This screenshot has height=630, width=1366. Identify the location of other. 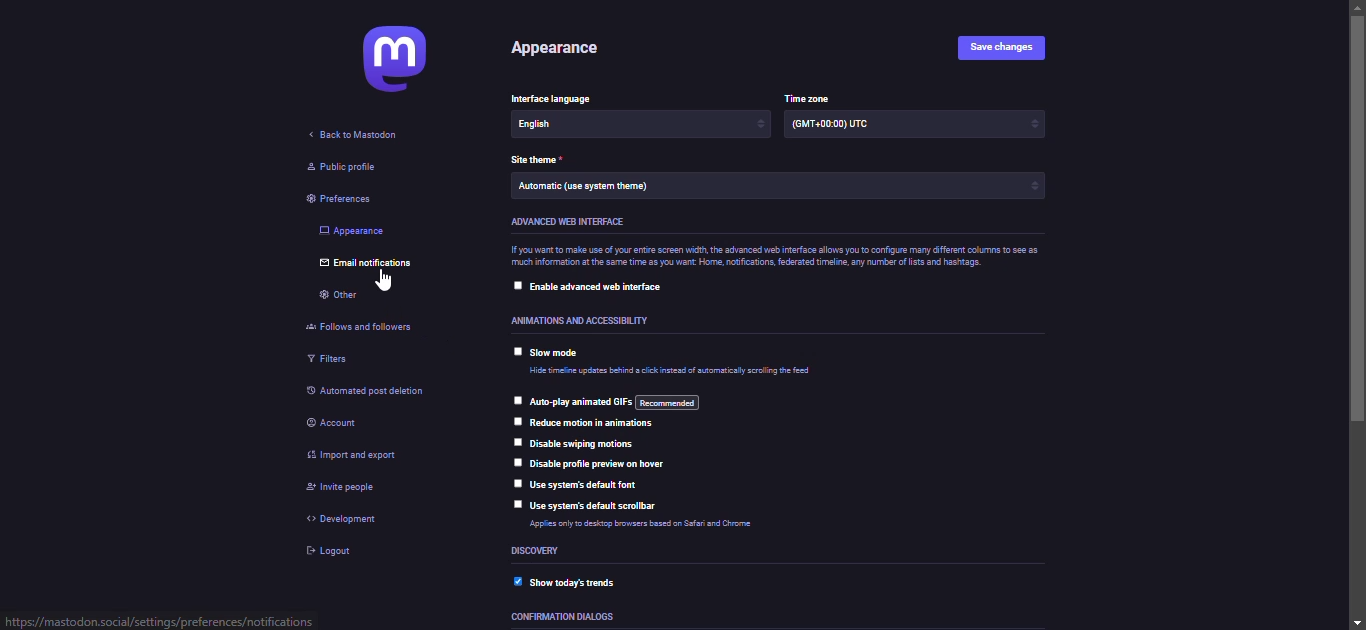
(342, 296).